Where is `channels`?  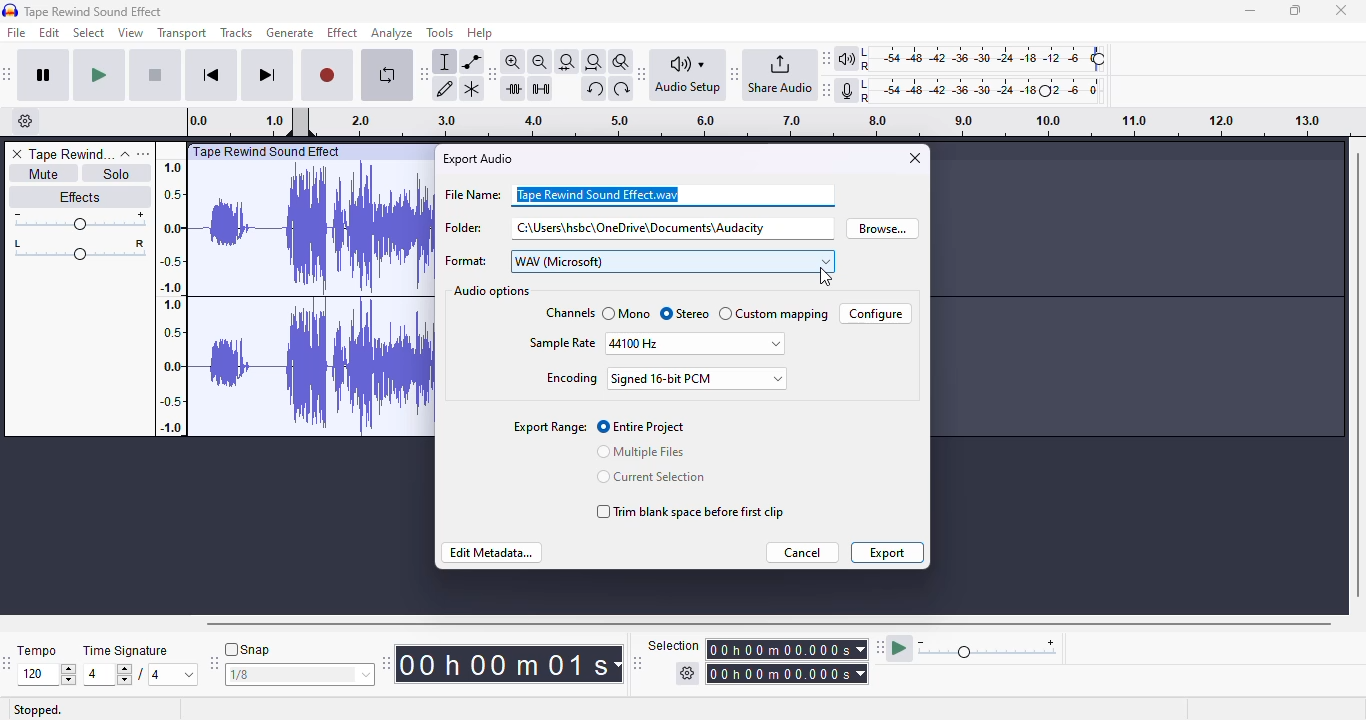 channels is located at coordinates (579, 313).